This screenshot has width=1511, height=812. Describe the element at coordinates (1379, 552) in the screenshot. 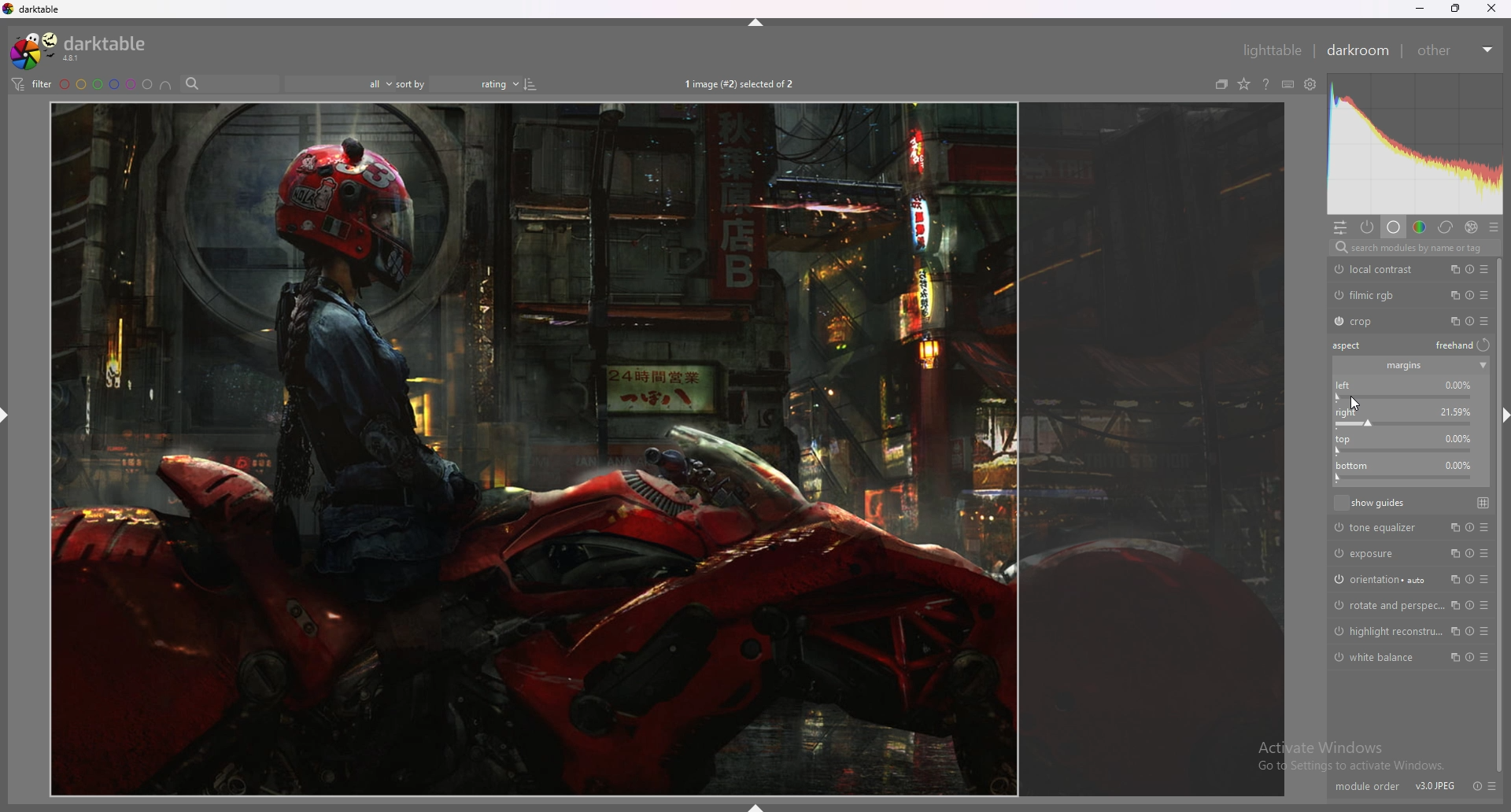

I see `exposure` at that location.